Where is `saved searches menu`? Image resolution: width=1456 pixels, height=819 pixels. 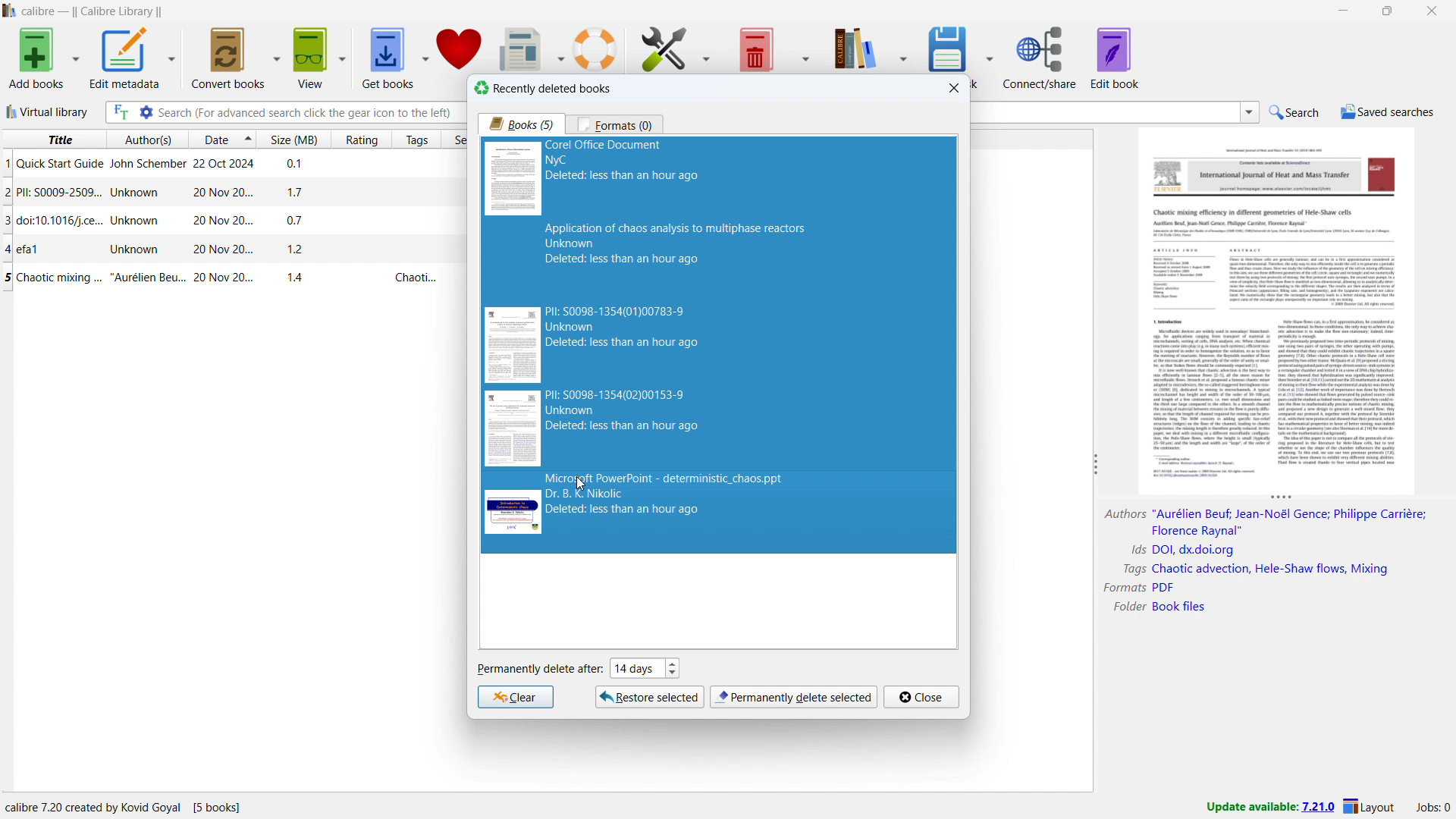
saved searches menu is located at coordinates (1387, 111).